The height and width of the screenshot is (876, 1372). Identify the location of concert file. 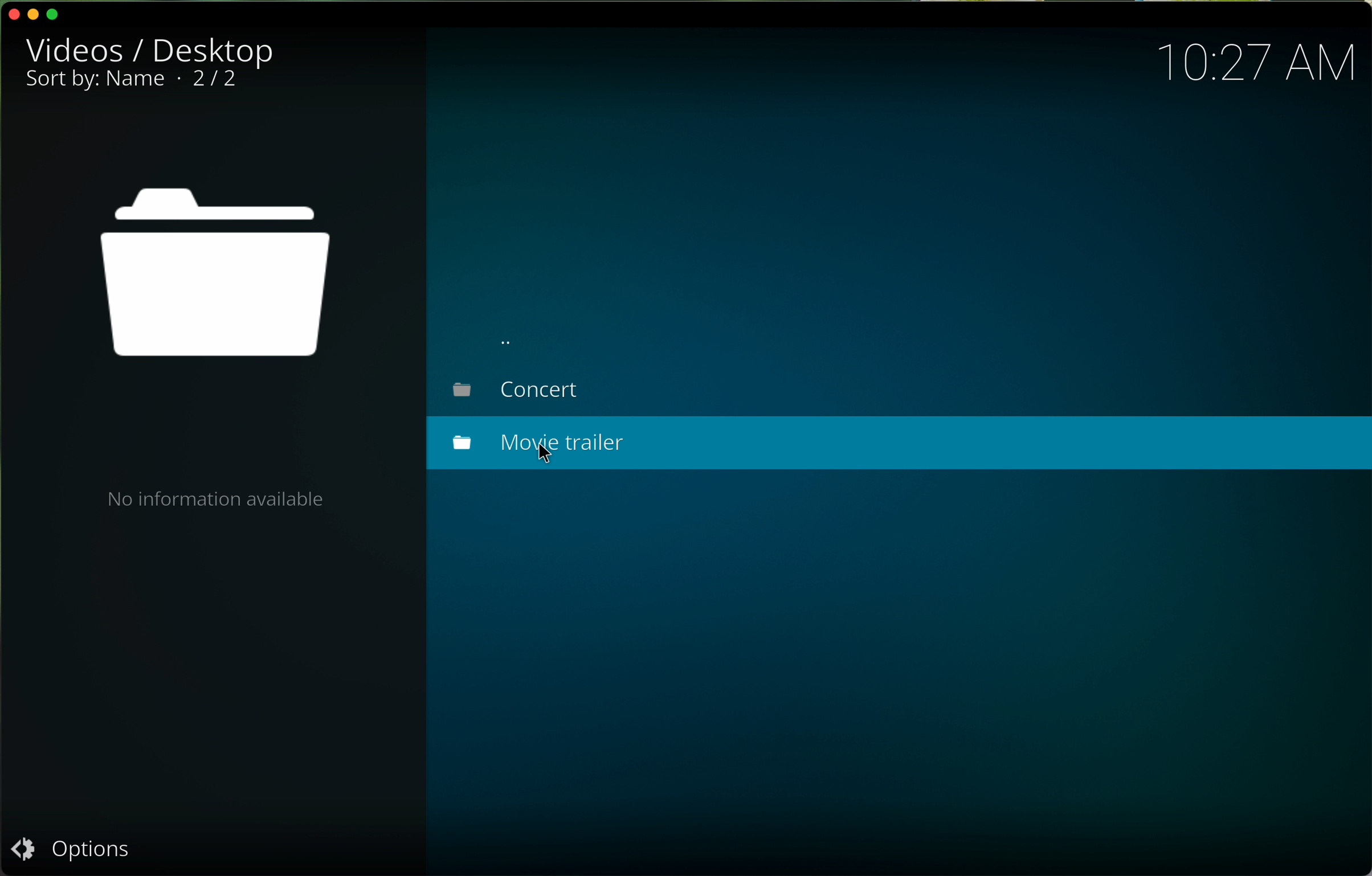
(517, 391).